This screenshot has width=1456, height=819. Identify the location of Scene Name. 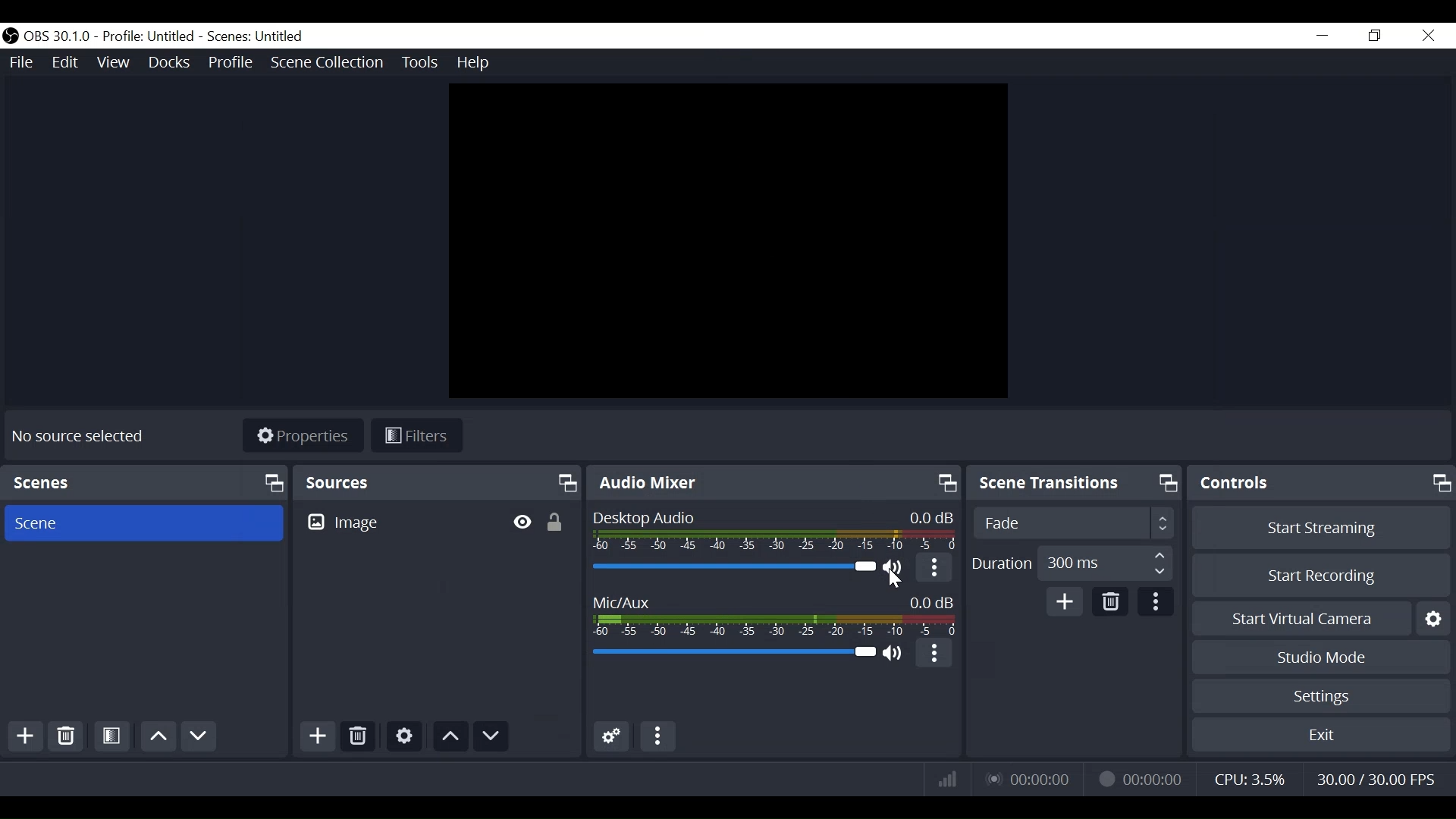
(260, 36).